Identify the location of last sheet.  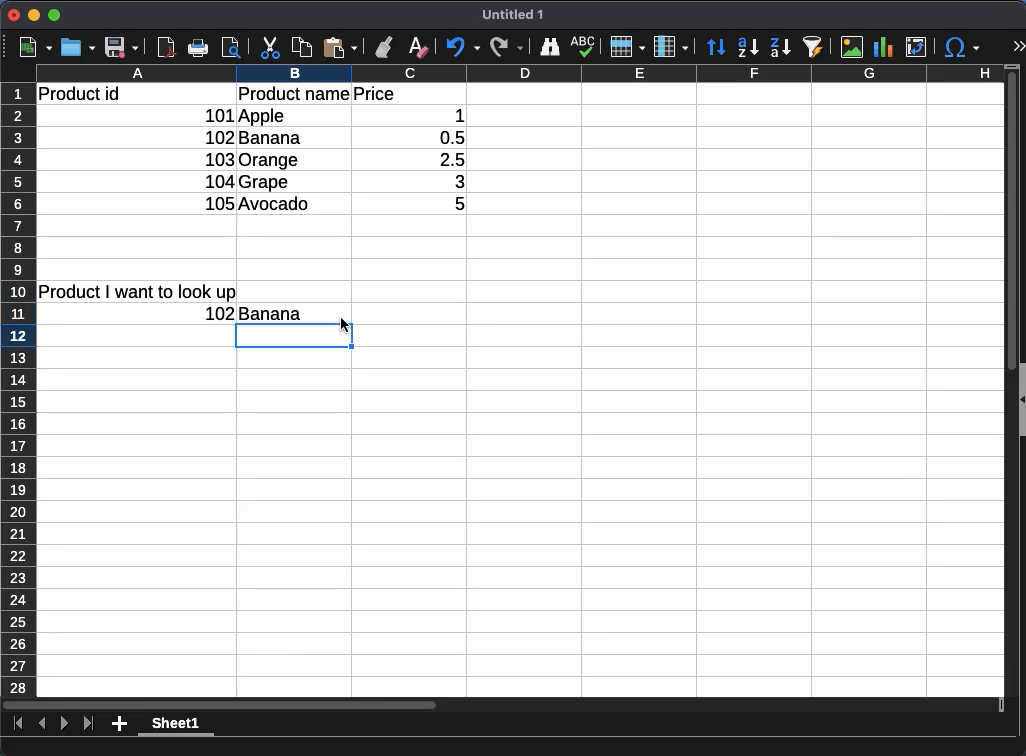
(90, 724).